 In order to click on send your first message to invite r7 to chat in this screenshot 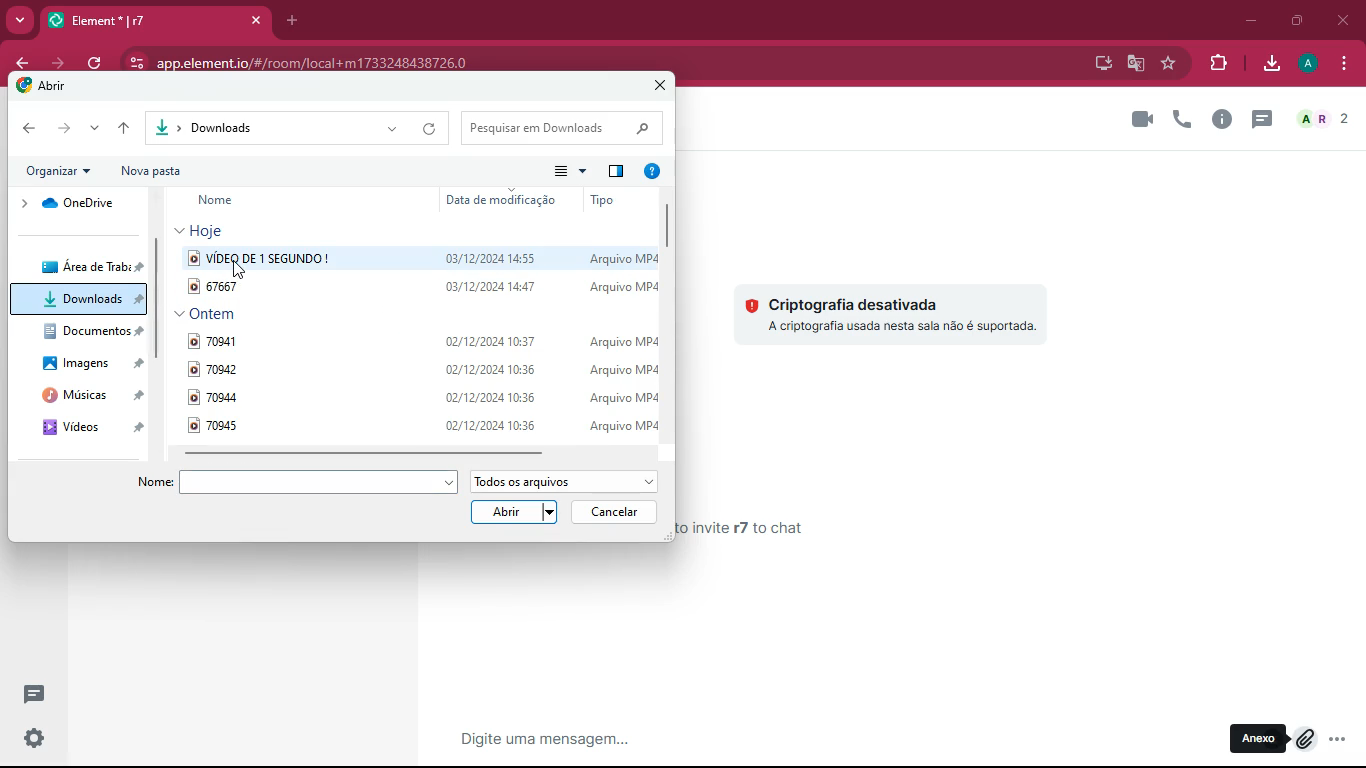, I will do `click(763, 529)`.